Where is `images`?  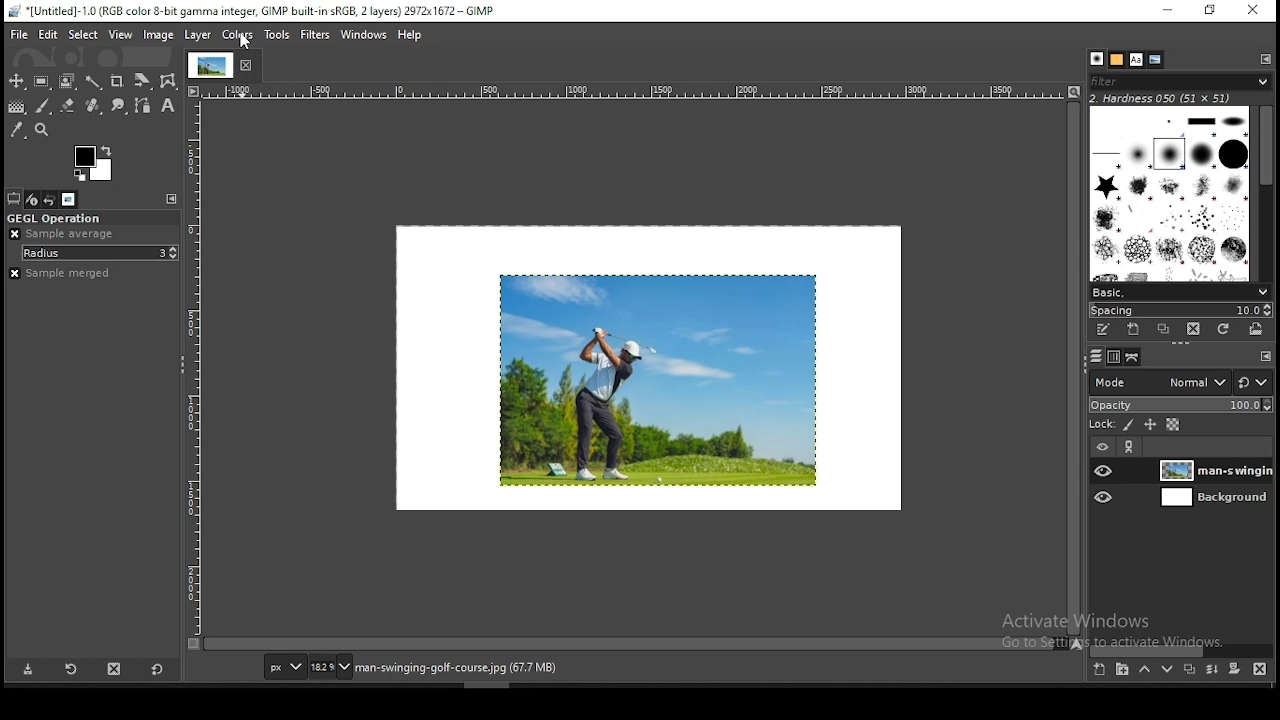
images is located at coordinates (68, 200).